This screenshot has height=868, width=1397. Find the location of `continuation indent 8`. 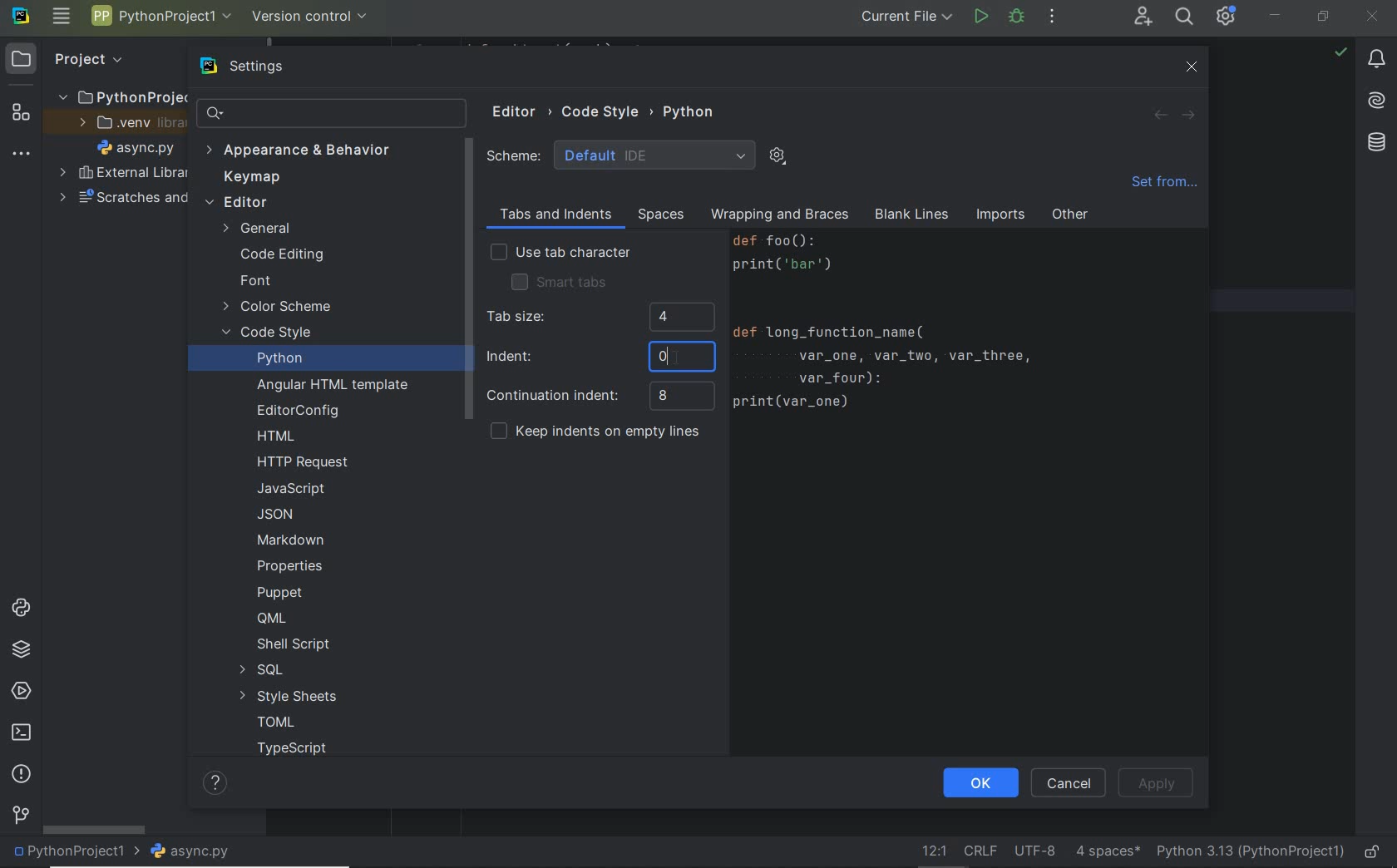

continuation indent 8 is located at coordinates (600, 397).